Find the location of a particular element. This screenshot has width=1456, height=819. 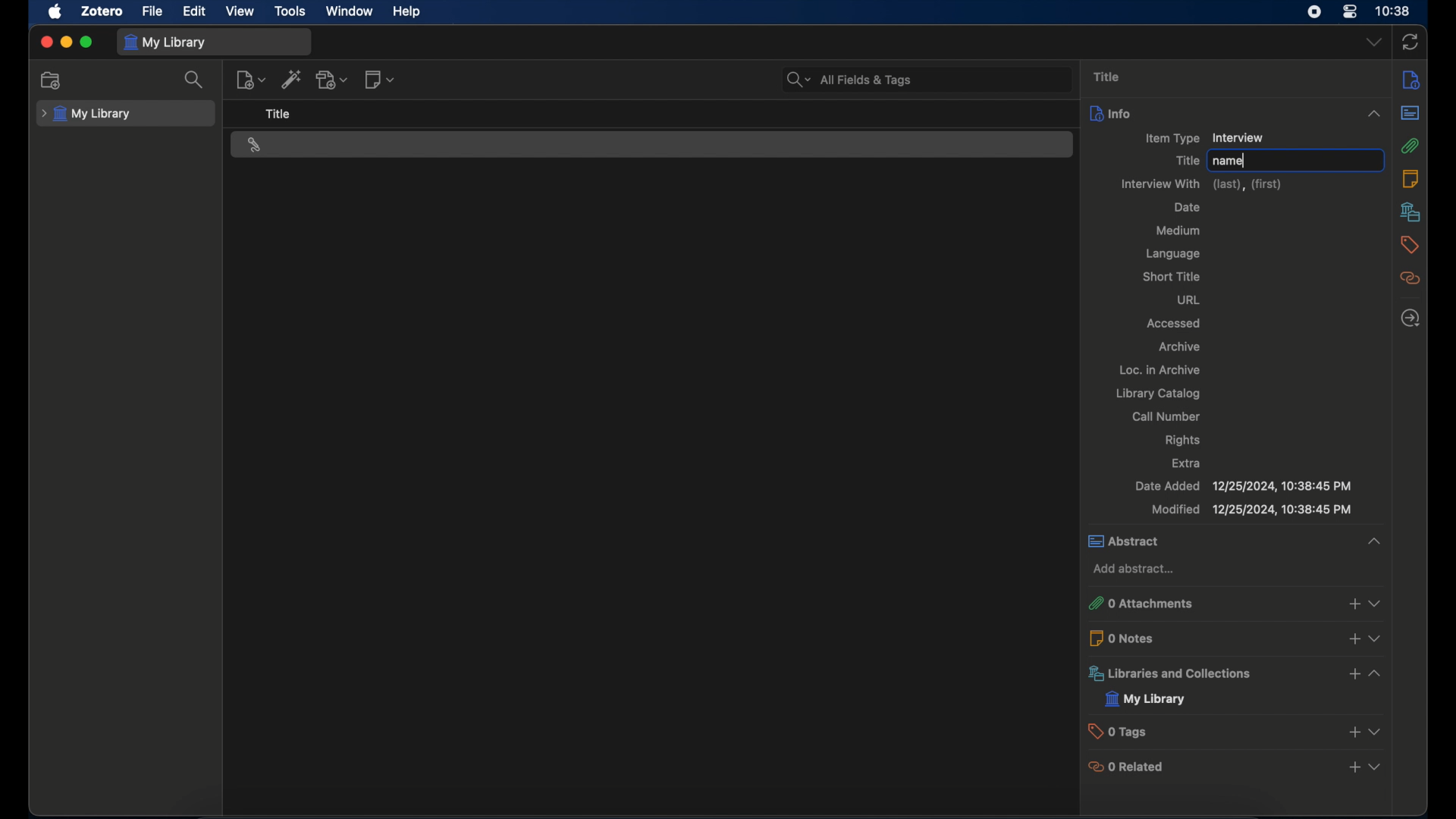

tags is located at coordinates (1410, 244).